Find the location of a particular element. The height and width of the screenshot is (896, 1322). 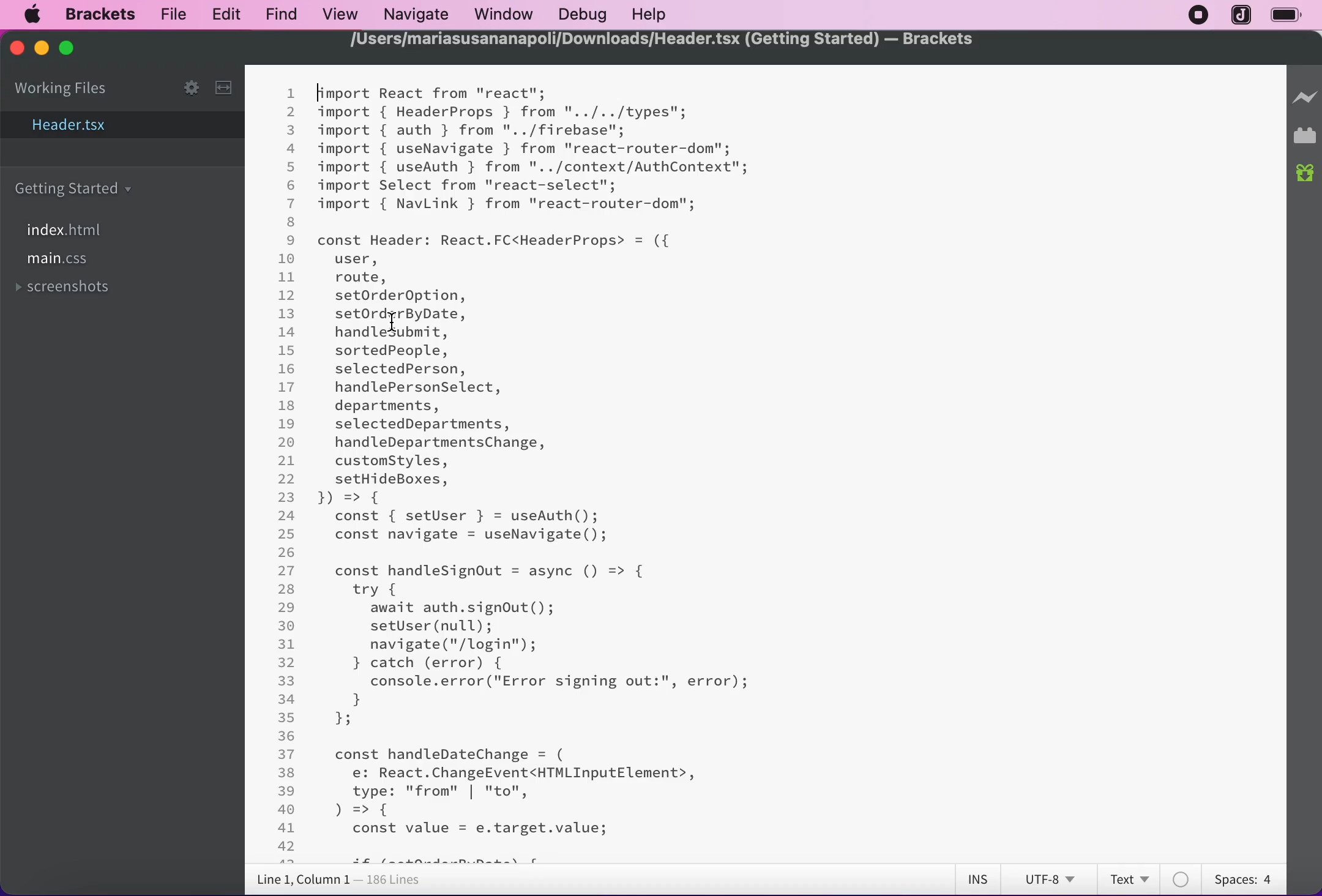

battery is located at coordinates (1292, 17).